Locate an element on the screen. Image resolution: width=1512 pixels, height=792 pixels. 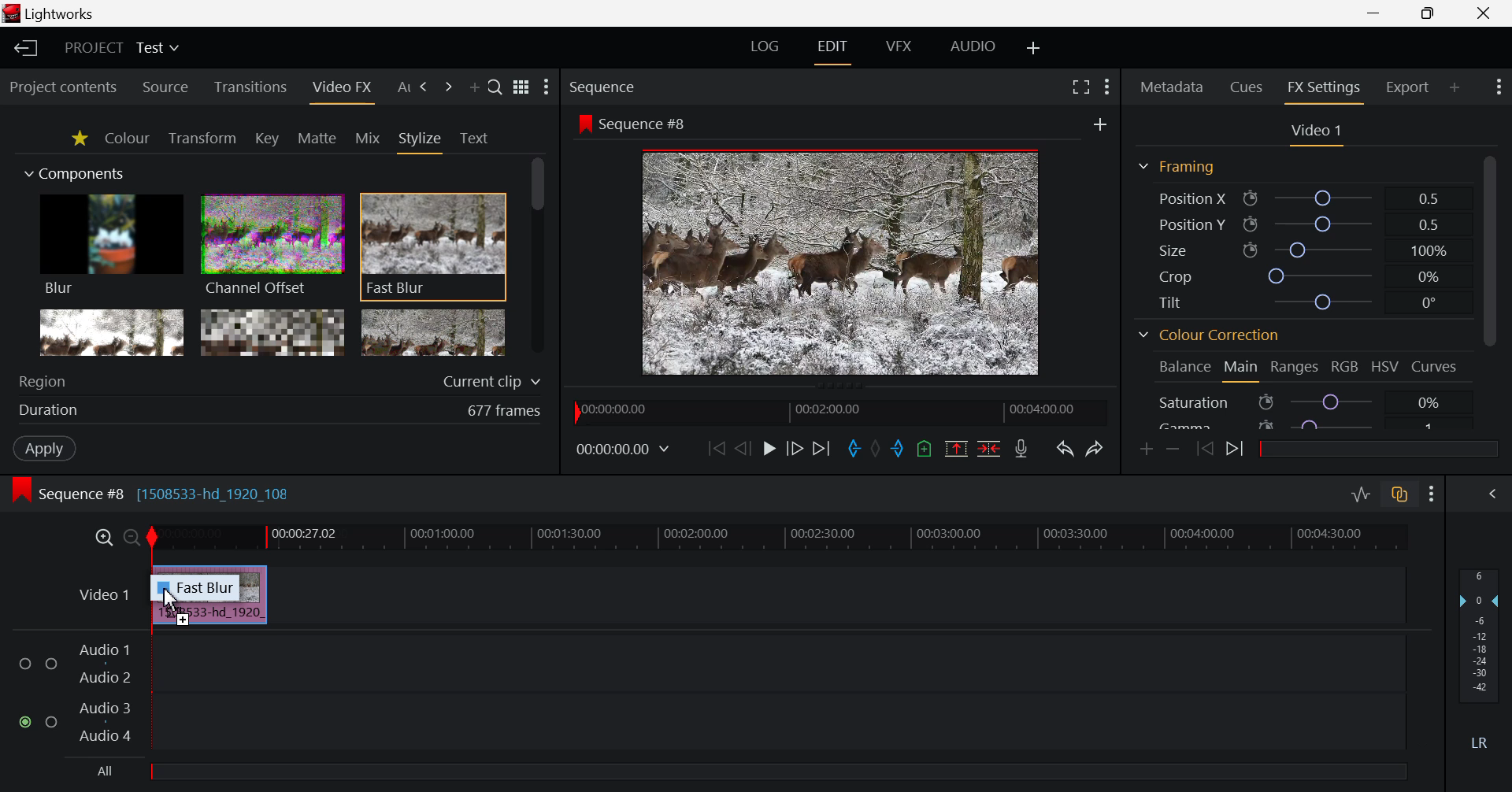
Previous keyframe is located at coordinates (1204, 450).